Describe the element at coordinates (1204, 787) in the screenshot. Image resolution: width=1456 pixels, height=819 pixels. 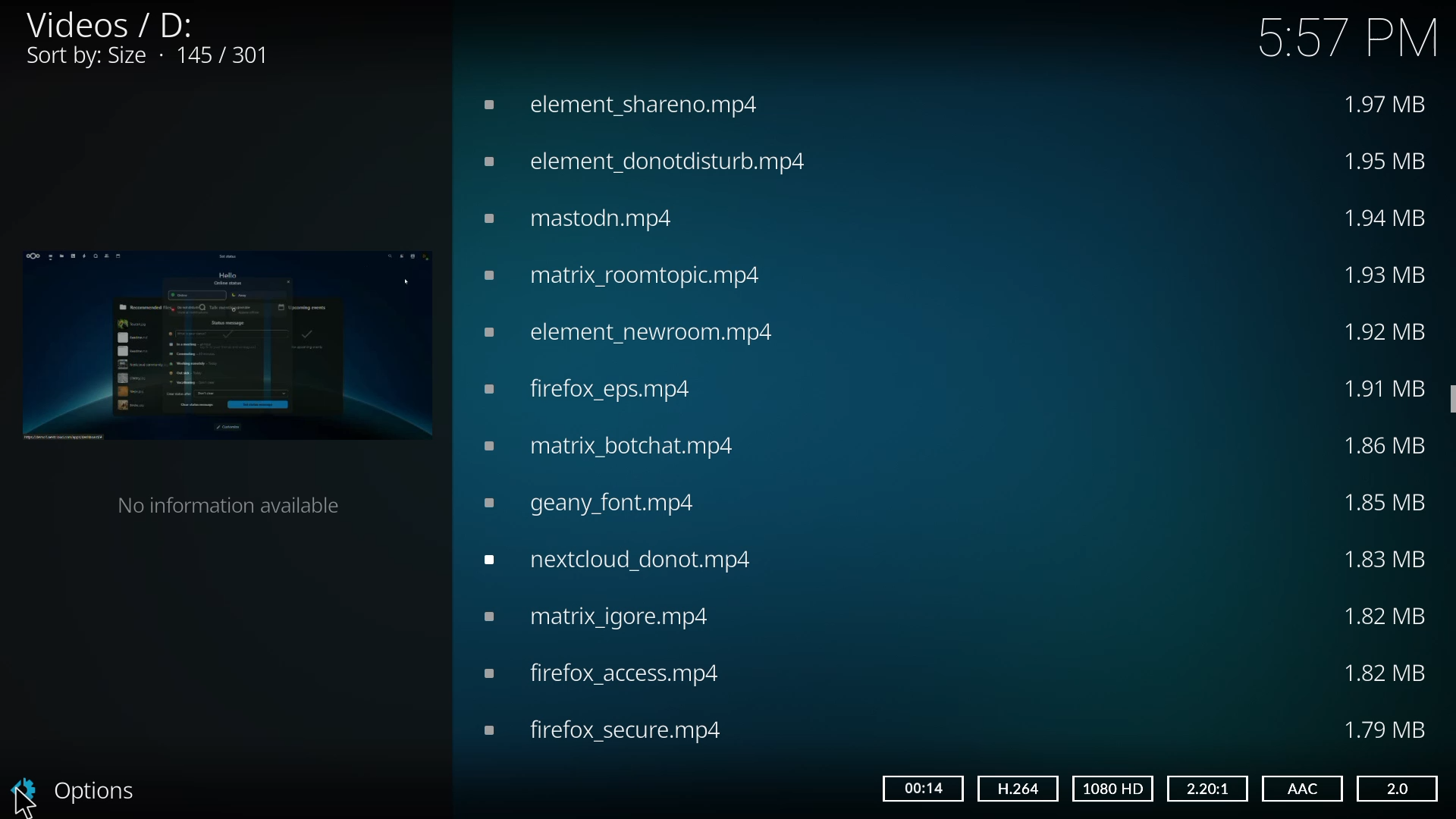
I see `2` at that location.